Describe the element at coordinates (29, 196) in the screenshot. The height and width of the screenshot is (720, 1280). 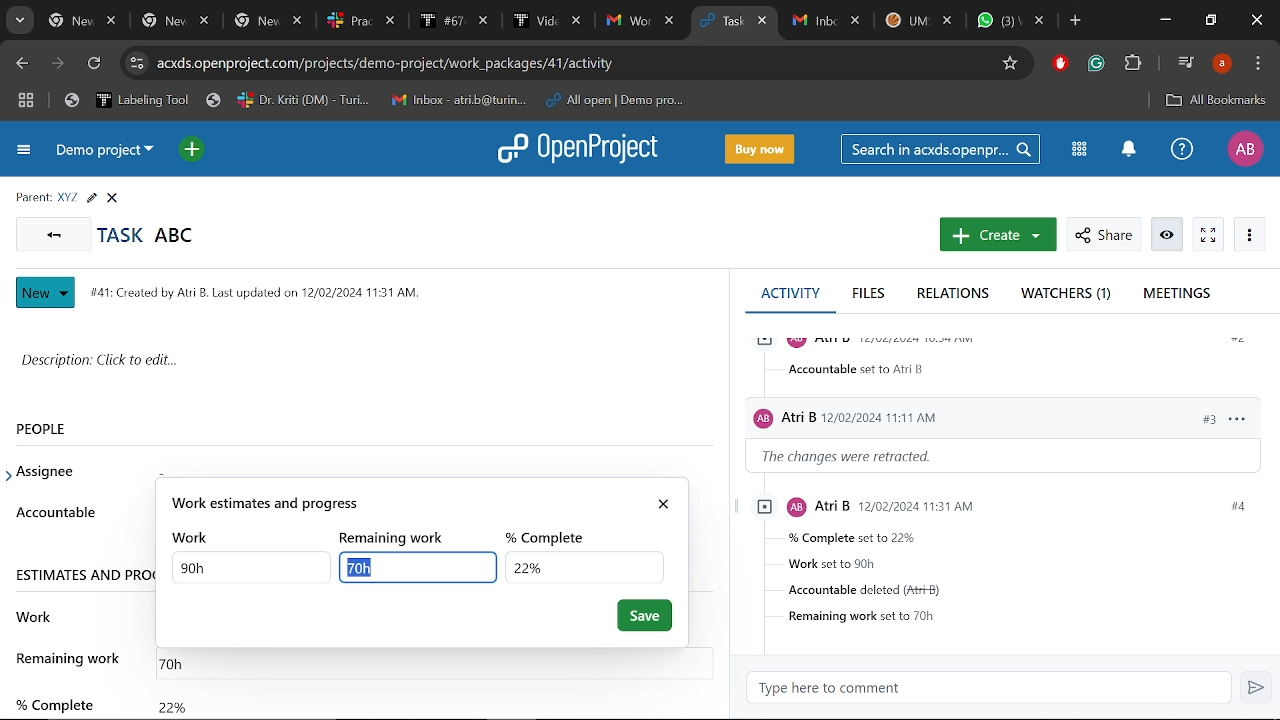
I see `parent` at that location.